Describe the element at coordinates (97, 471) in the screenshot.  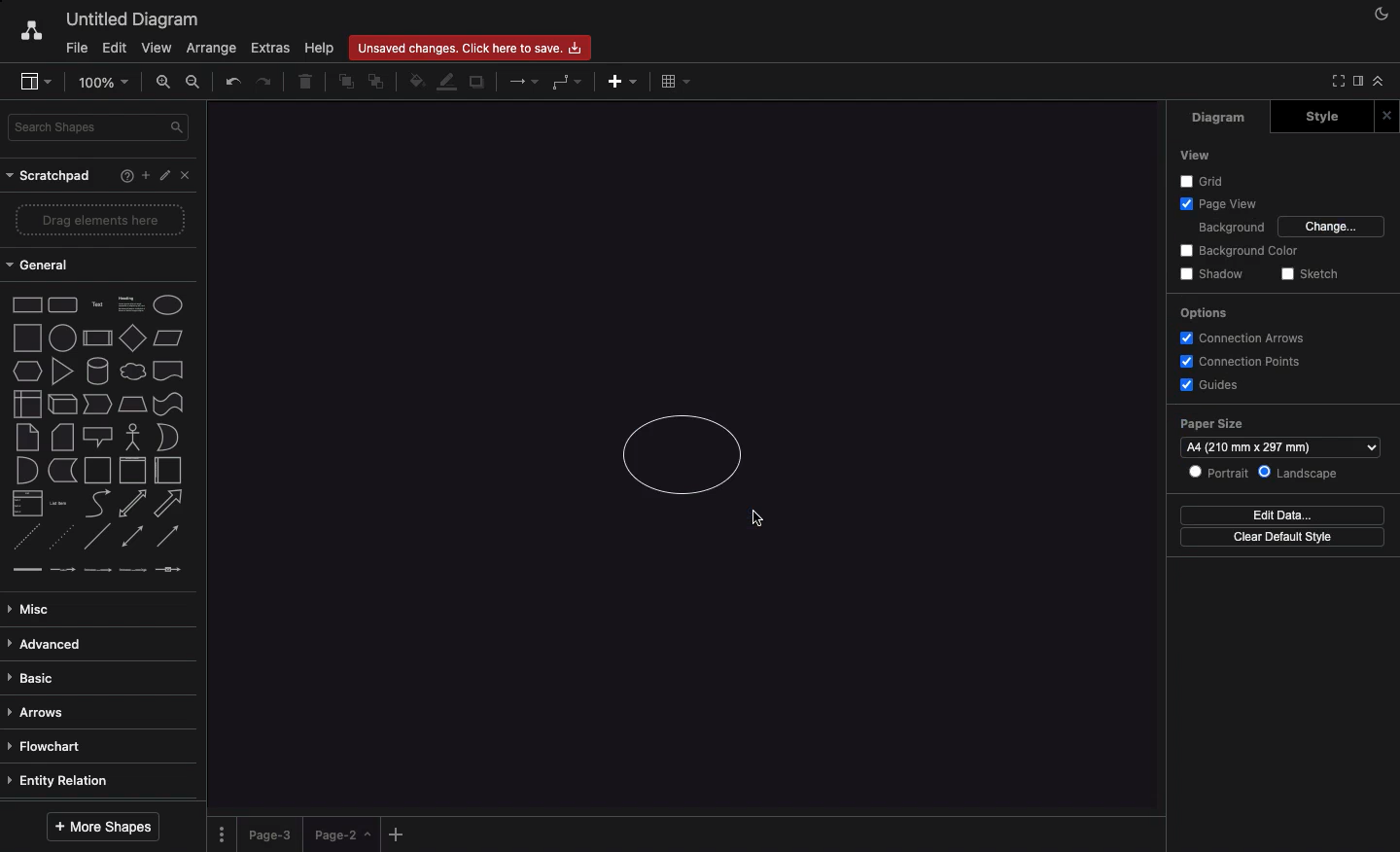
I see `container` at that location.